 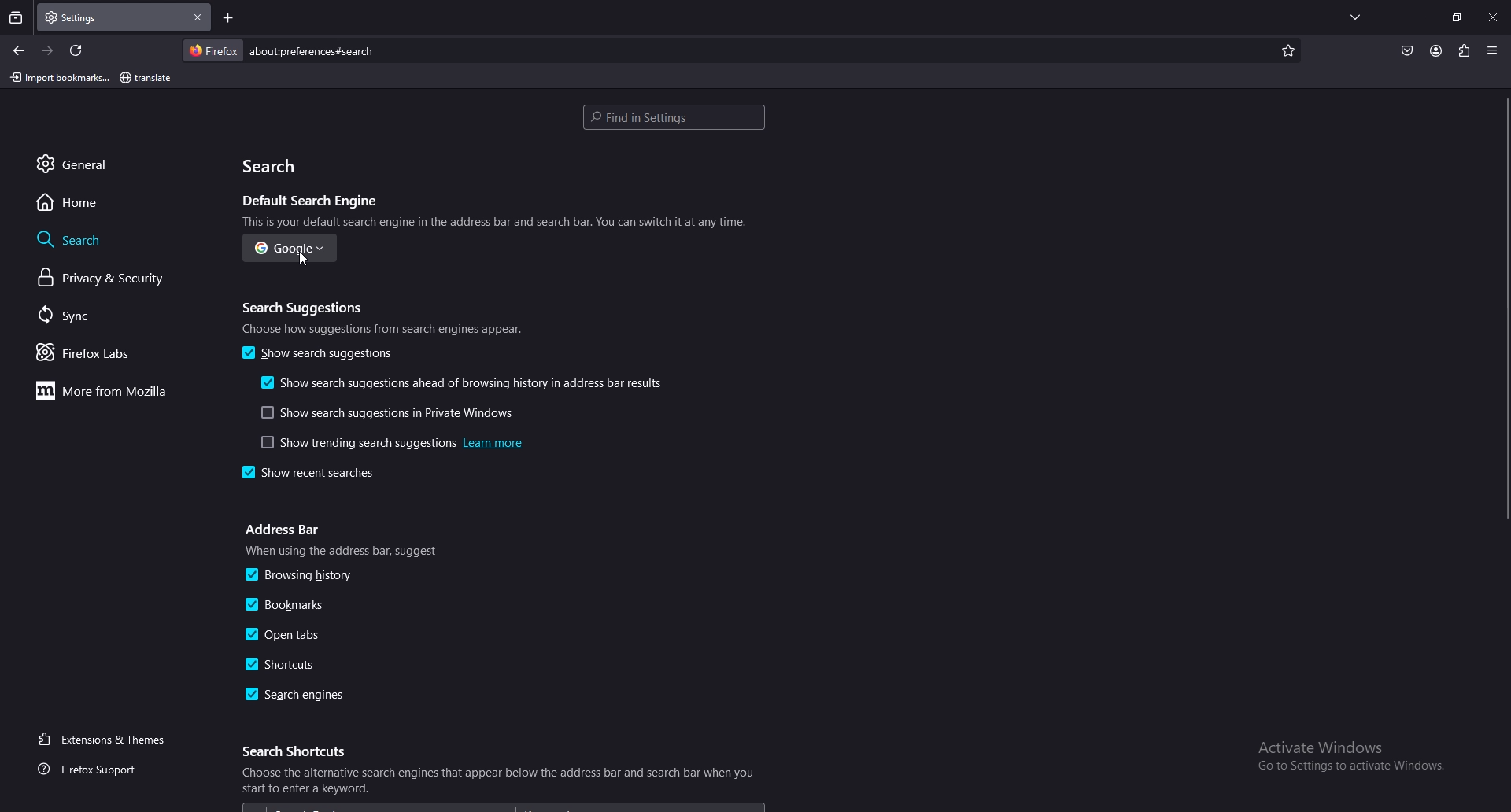 What do you see at coordinates (497, 221) in the screenshot?
I see `info` at bounding box center [497, 221].